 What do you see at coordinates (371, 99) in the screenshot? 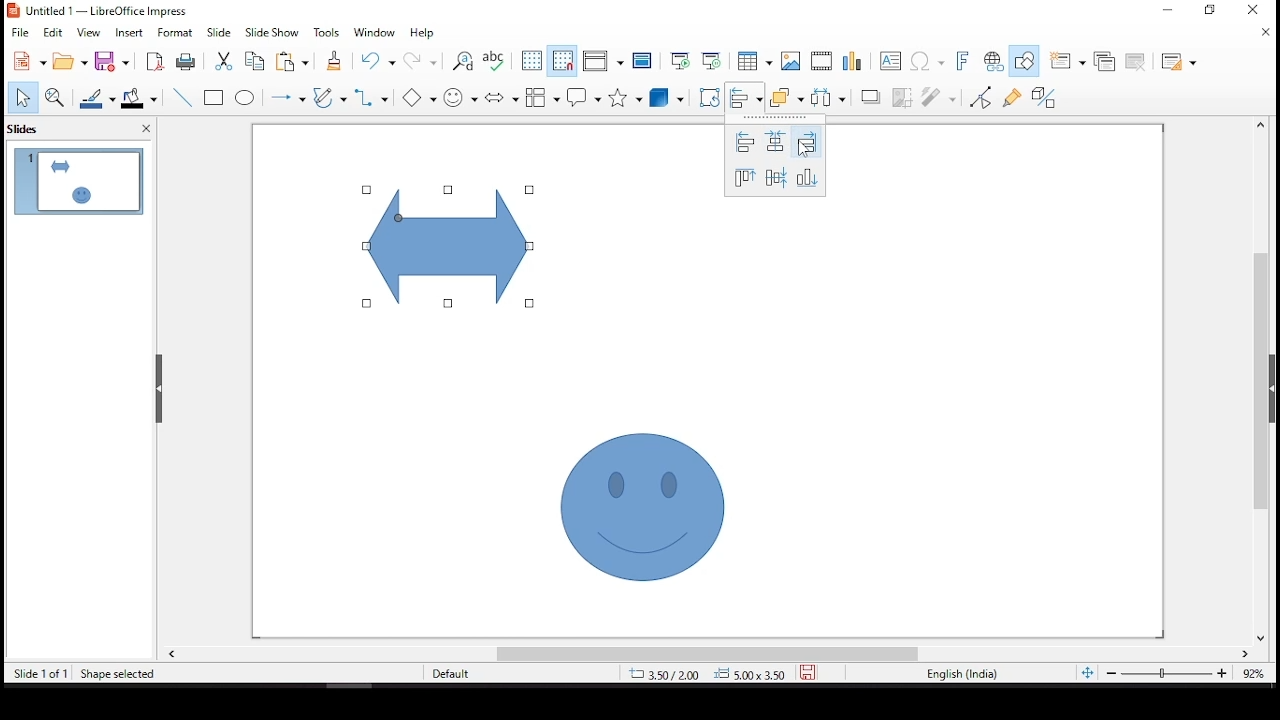
I see `connectors` at bounding box center [371, 99].